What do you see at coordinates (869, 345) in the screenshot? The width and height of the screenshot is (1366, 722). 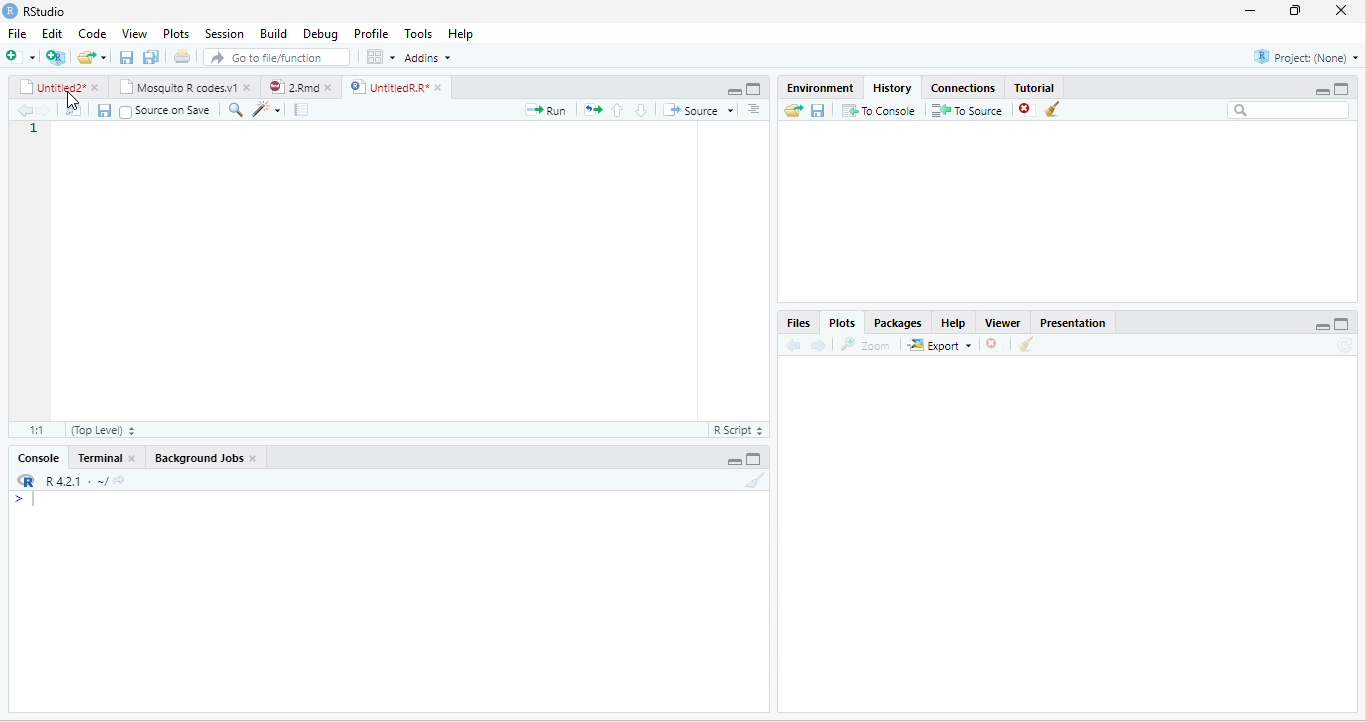 I see `zoom` at bounding box center [869, 345].